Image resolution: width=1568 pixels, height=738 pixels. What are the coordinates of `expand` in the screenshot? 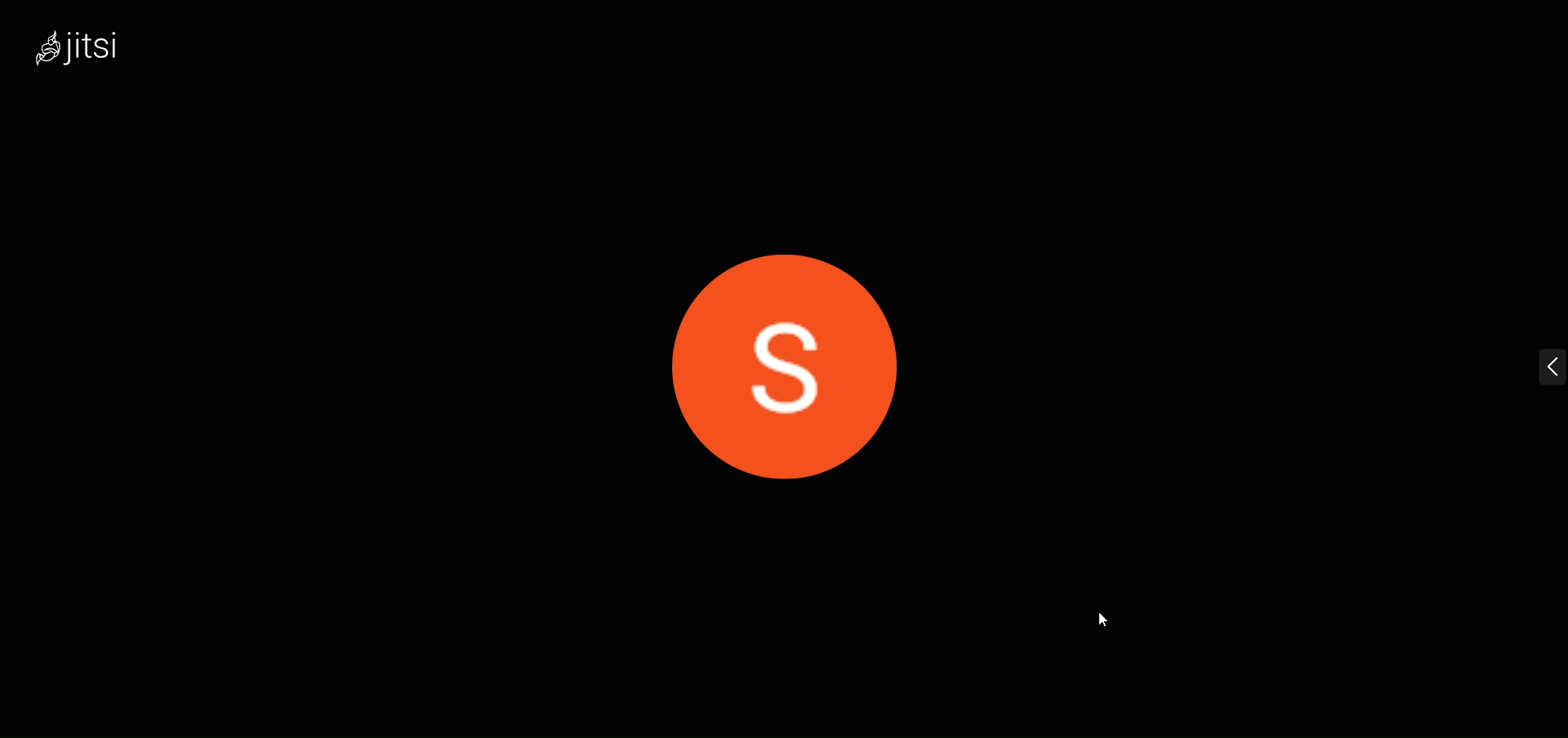 It's located at (1530, 363).